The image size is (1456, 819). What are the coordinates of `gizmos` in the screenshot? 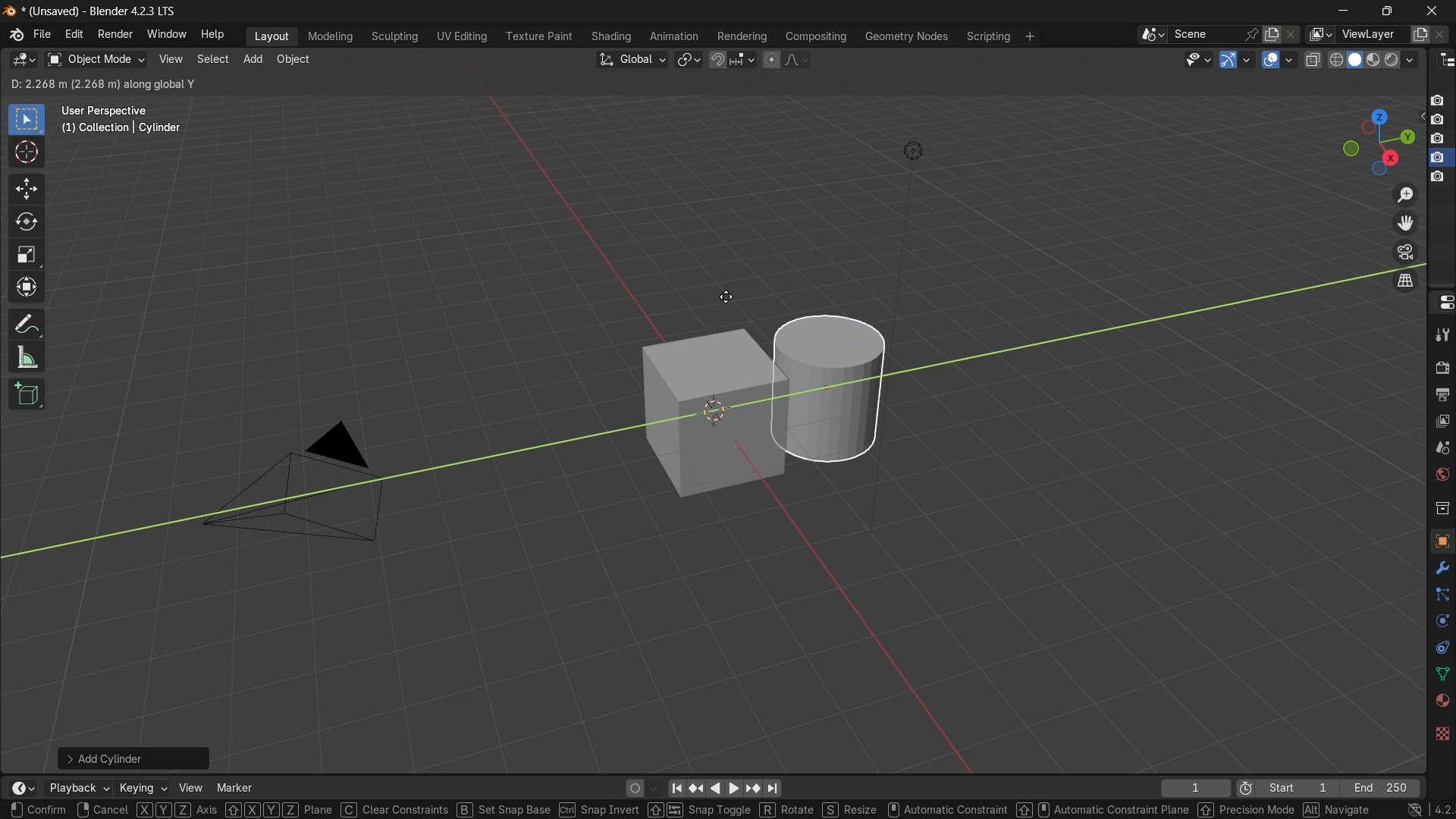 It's located at (1246, 59).